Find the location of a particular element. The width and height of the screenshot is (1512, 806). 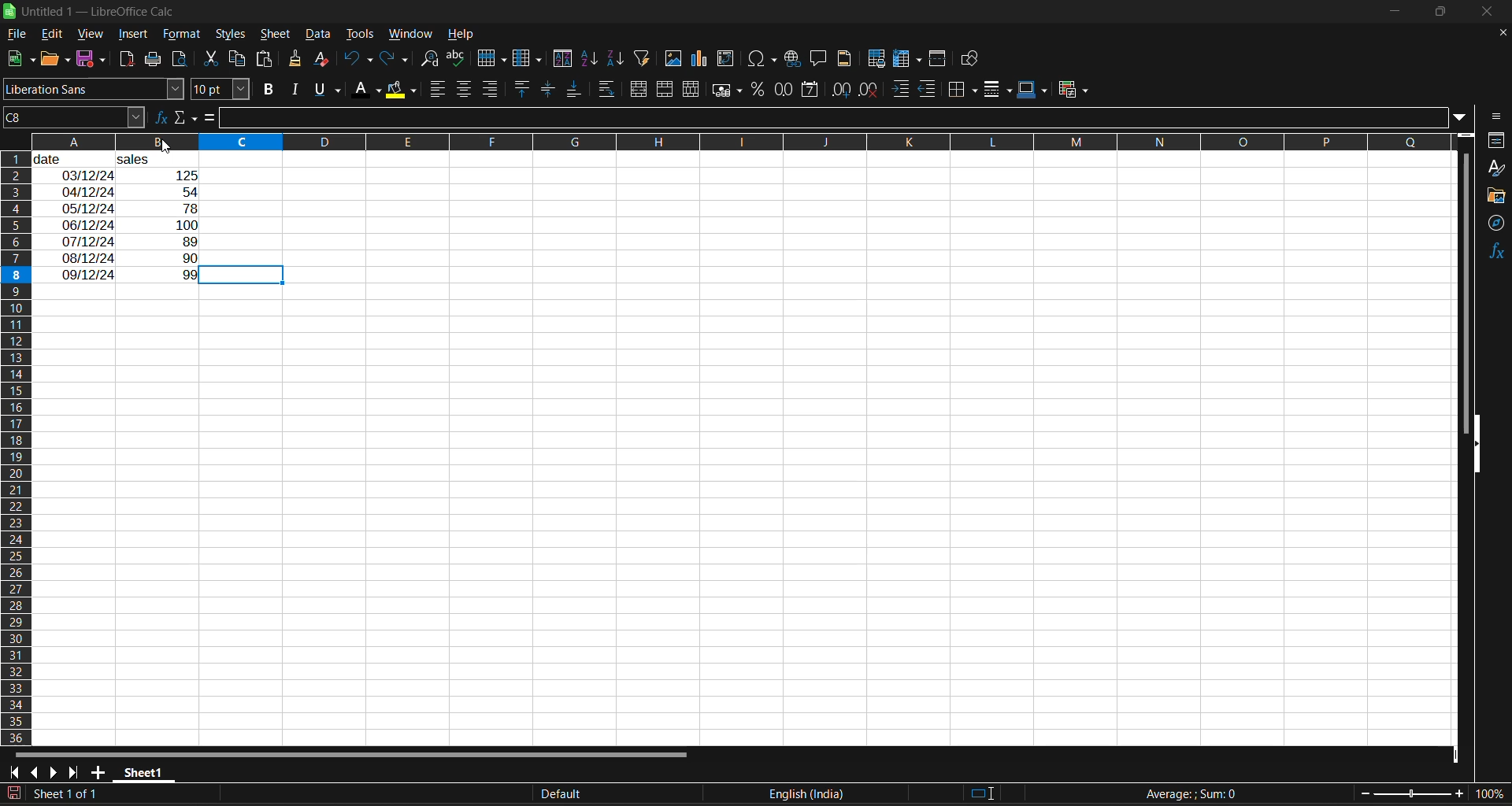

merge and center is located at coordinates (641, 89).